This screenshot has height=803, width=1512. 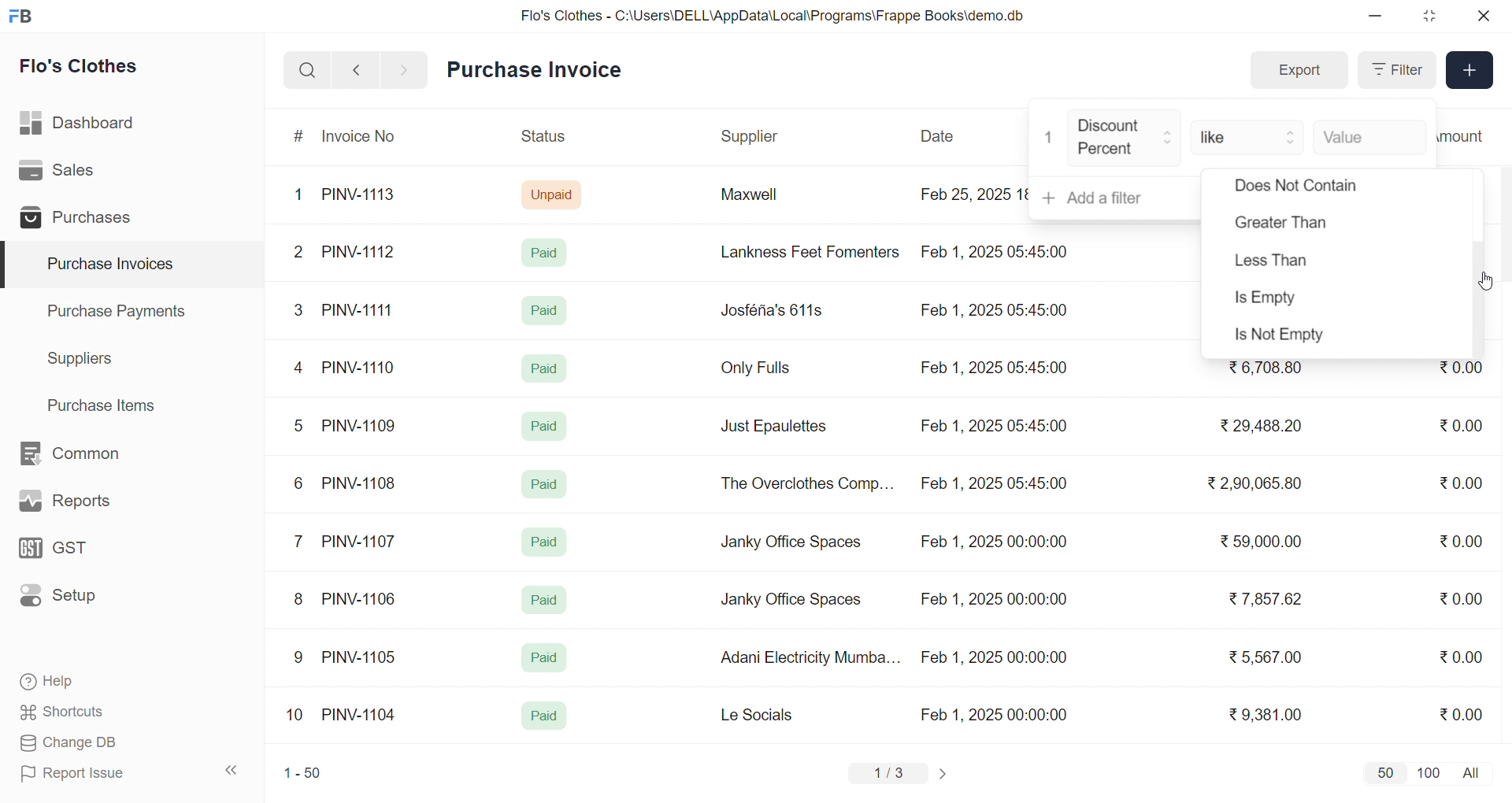 What do you see at coordinates (767, 200) in the screenshot?
I see `Maxwell` at bounding box center [767, 200].